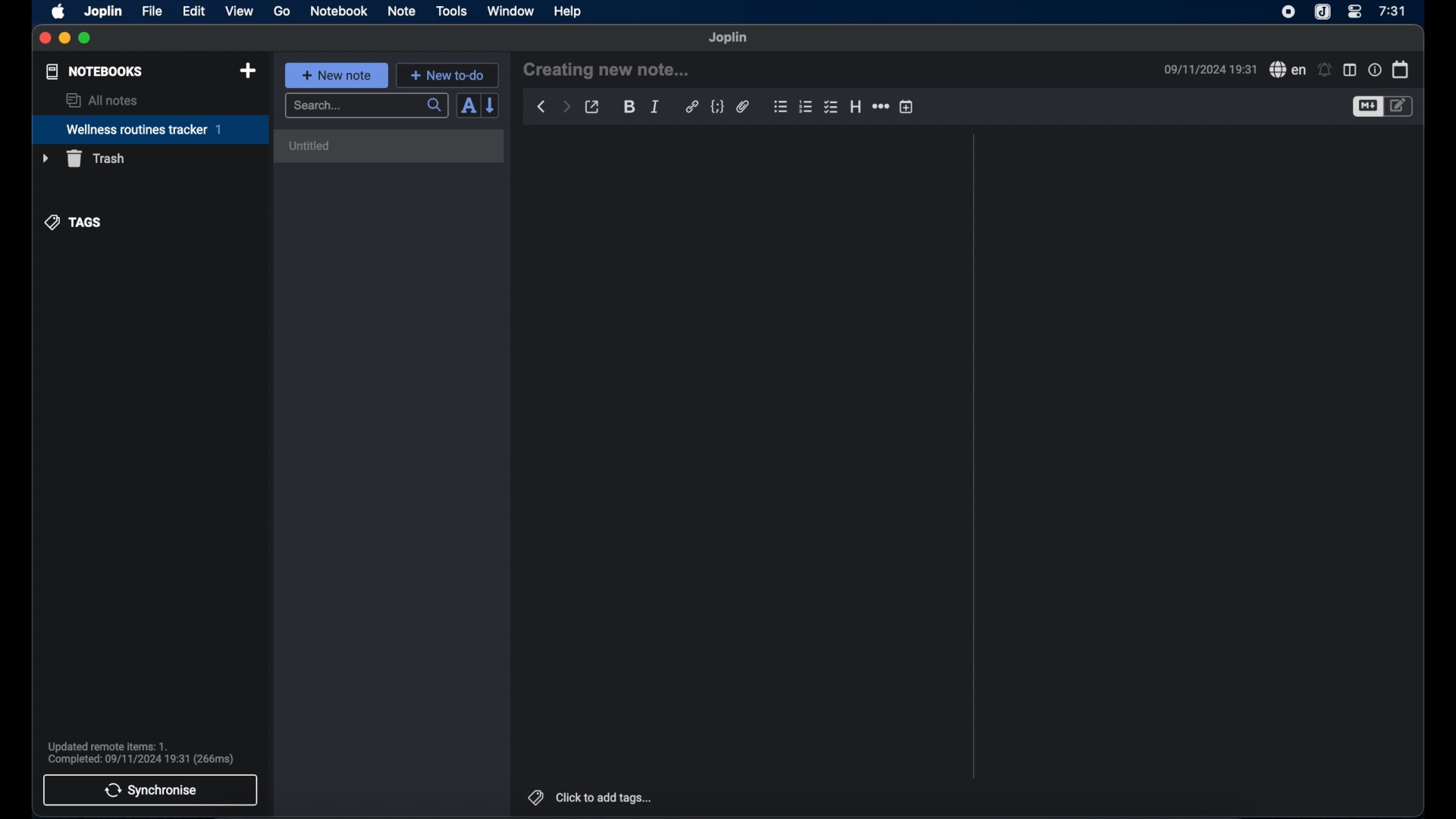  What do you see at coordinates (1323, 12) in the screenshot?
I see `joplin icon` at bounding box center [1323, 12].